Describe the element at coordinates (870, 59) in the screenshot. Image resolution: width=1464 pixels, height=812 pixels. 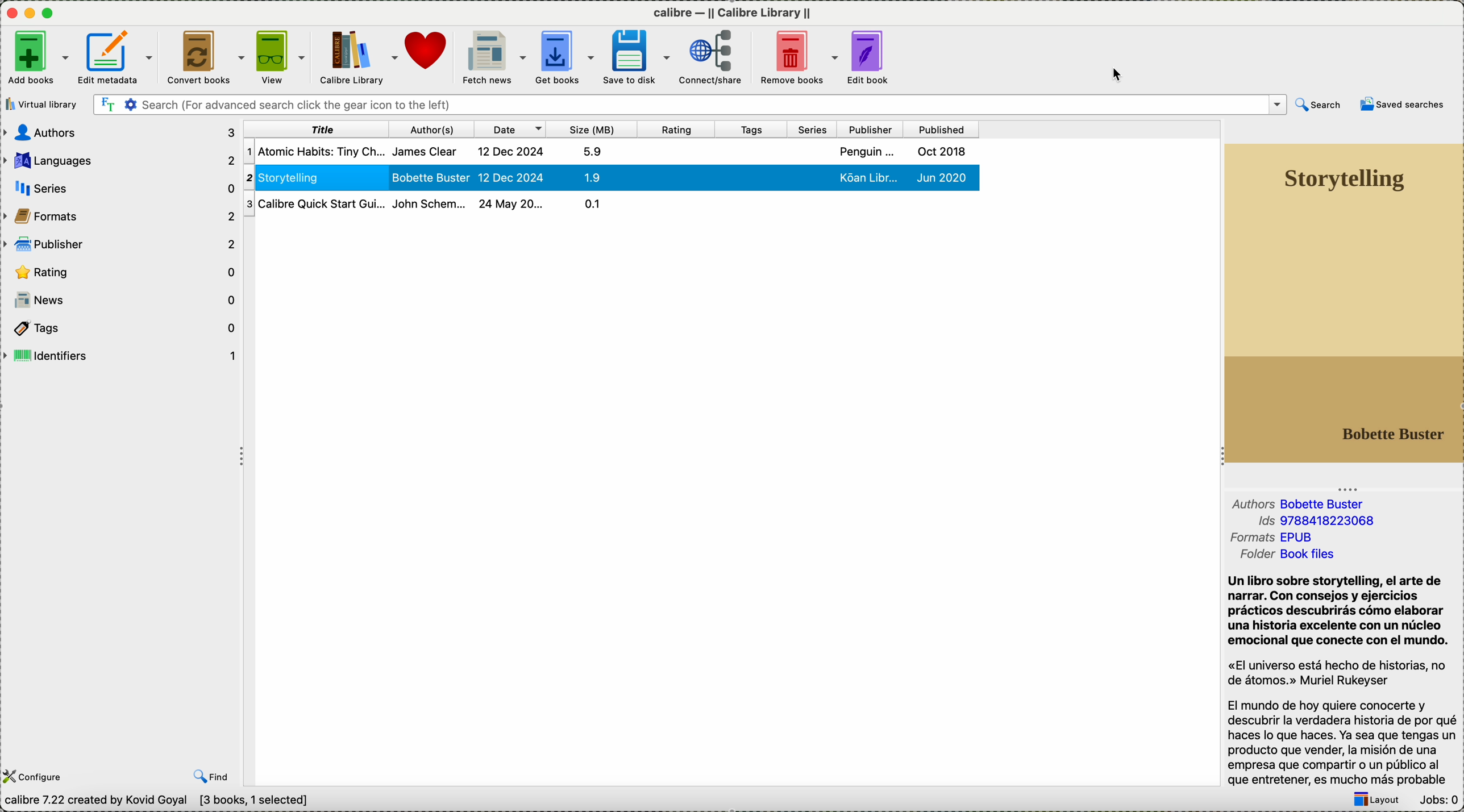
I see `edit book` at that location.